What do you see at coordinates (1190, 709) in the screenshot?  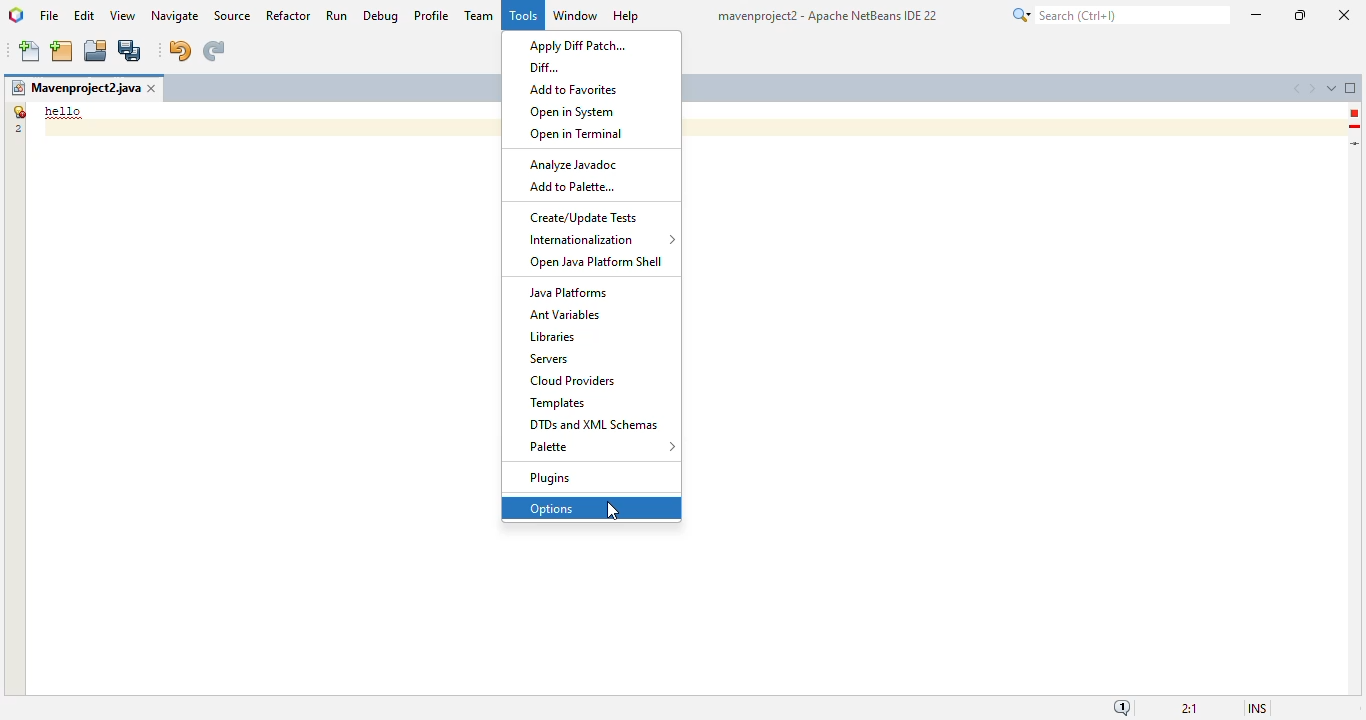 I see `magnification ratio` at bounding box center [1190, 709].